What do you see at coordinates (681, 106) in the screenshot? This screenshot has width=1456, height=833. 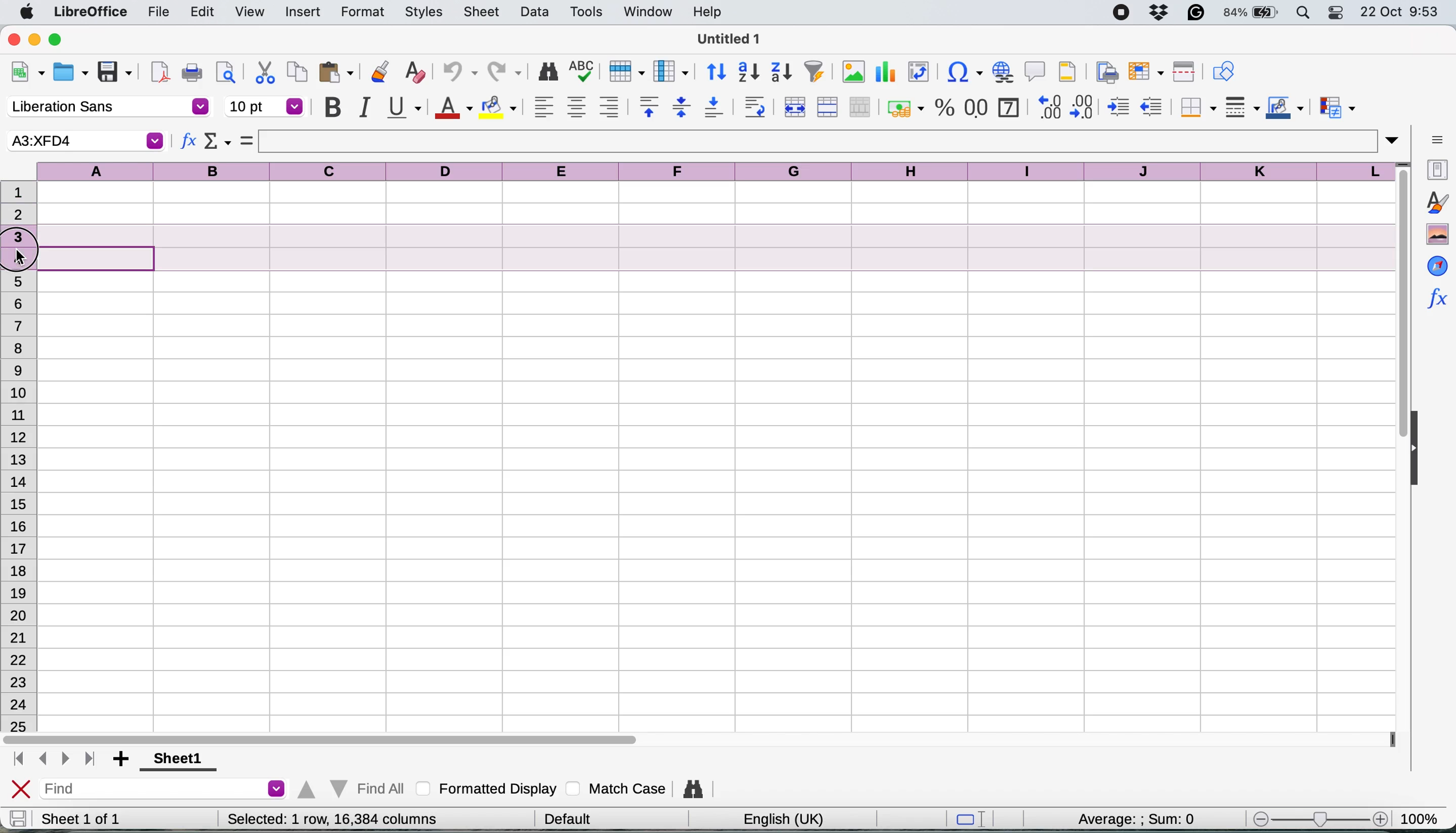 I see `center vertically` at bounding box center [681, 106].